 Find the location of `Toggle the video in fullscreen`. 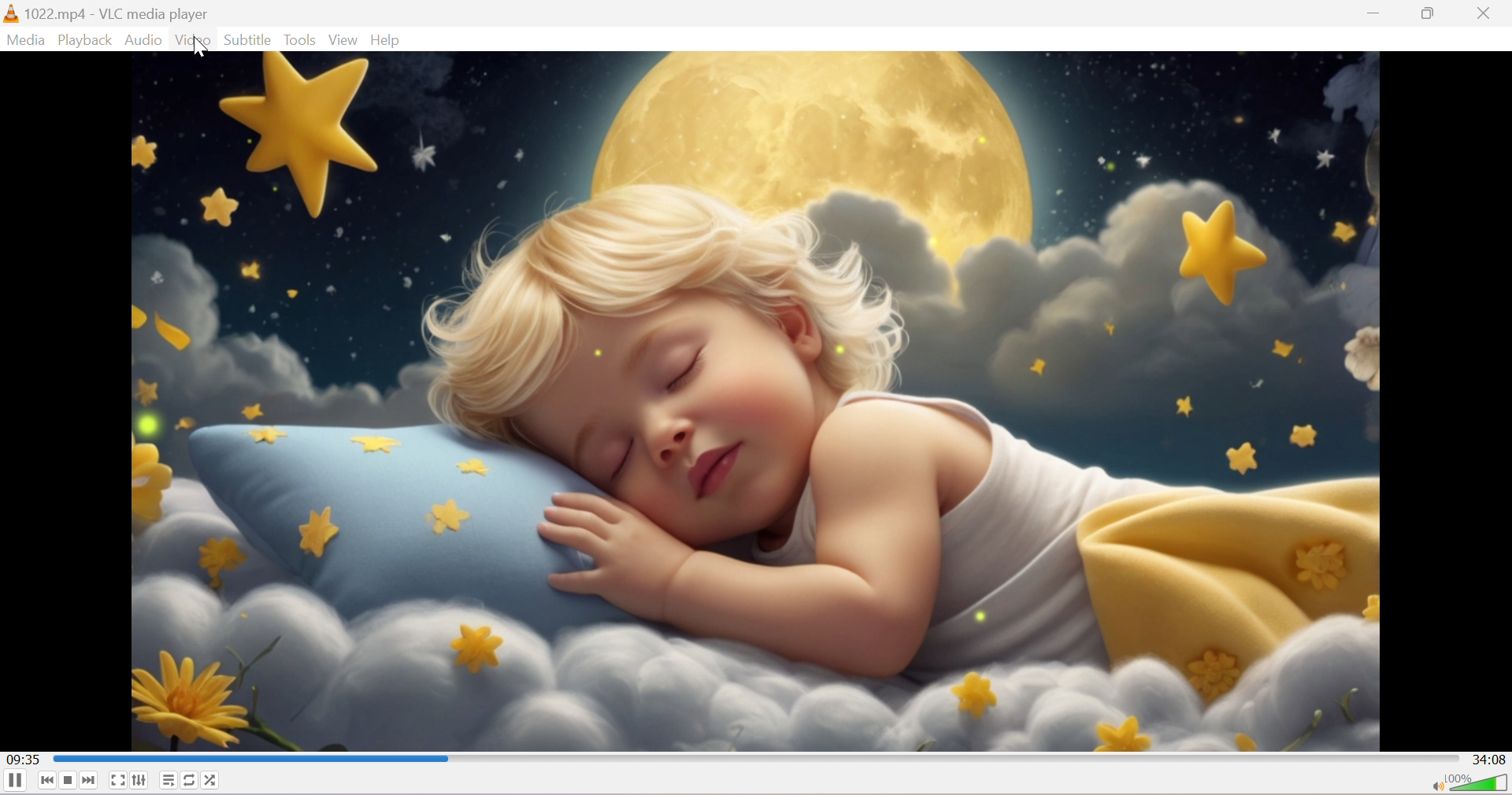

Toggle the video in fullscreen is located at coordinates (117, 782).